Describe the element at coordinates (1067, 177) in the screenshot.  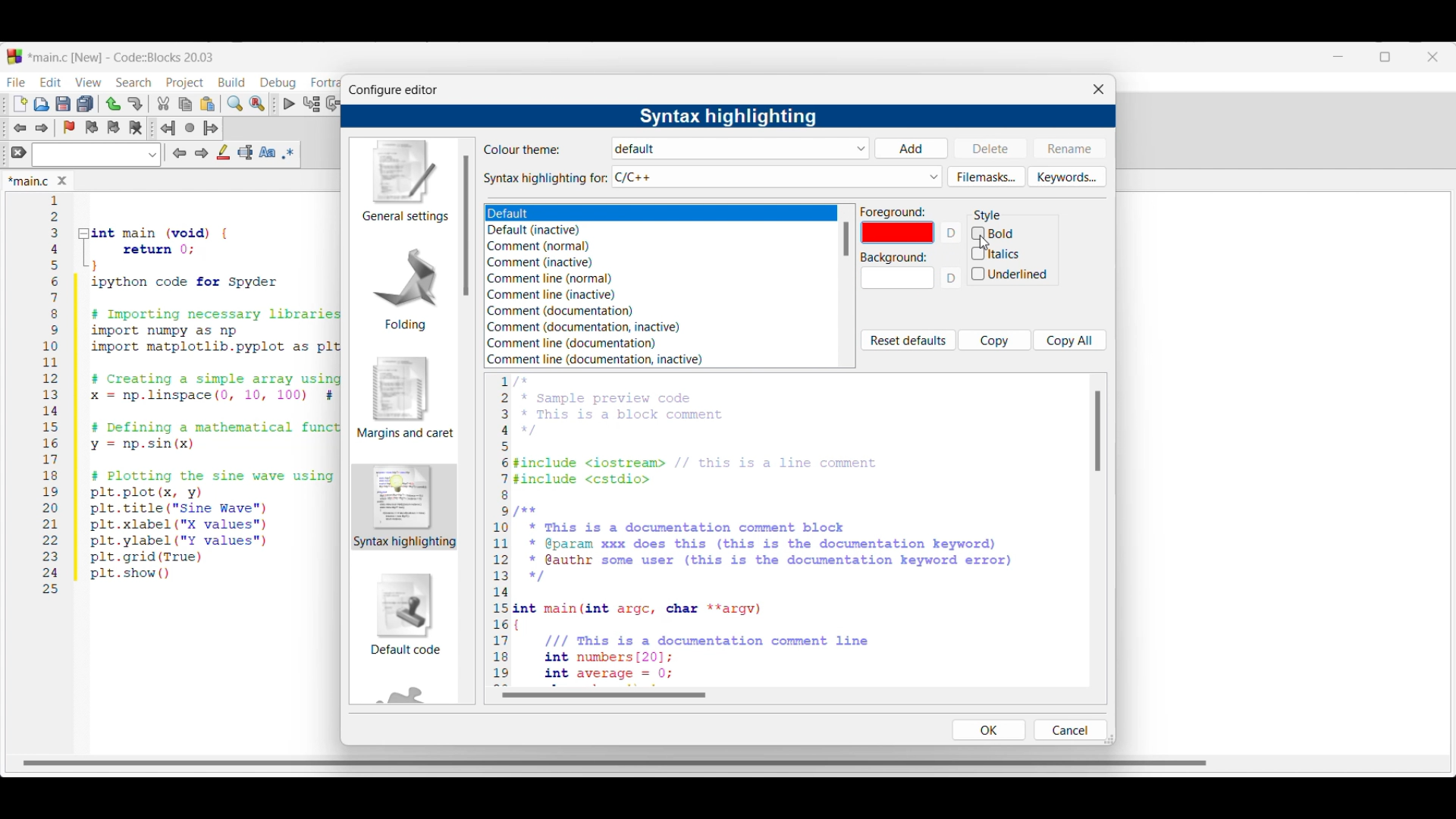
I see `Keywords` at that location.